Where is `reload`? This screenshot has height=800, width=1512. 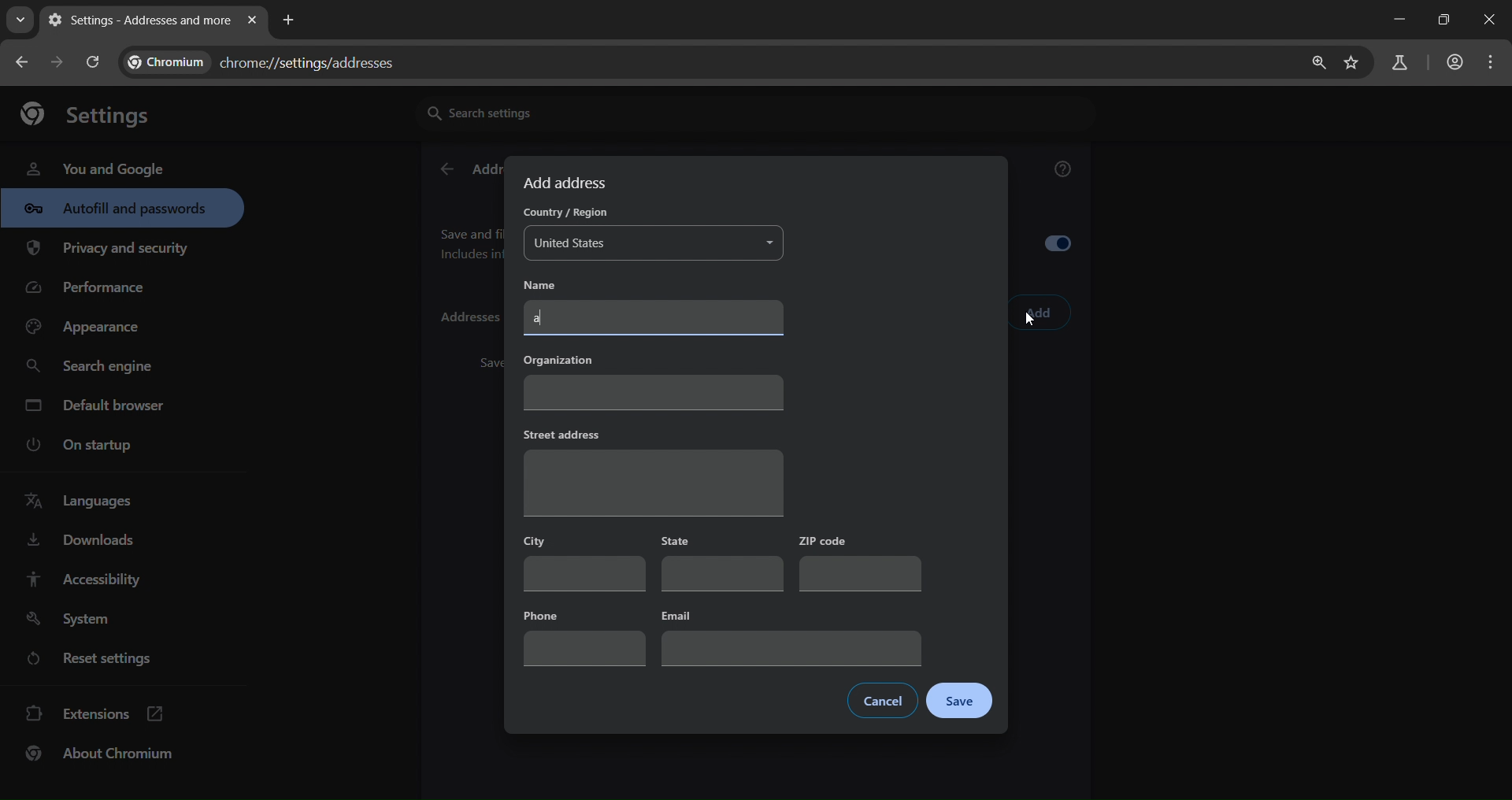
reload is located at coordinates (91, 61).